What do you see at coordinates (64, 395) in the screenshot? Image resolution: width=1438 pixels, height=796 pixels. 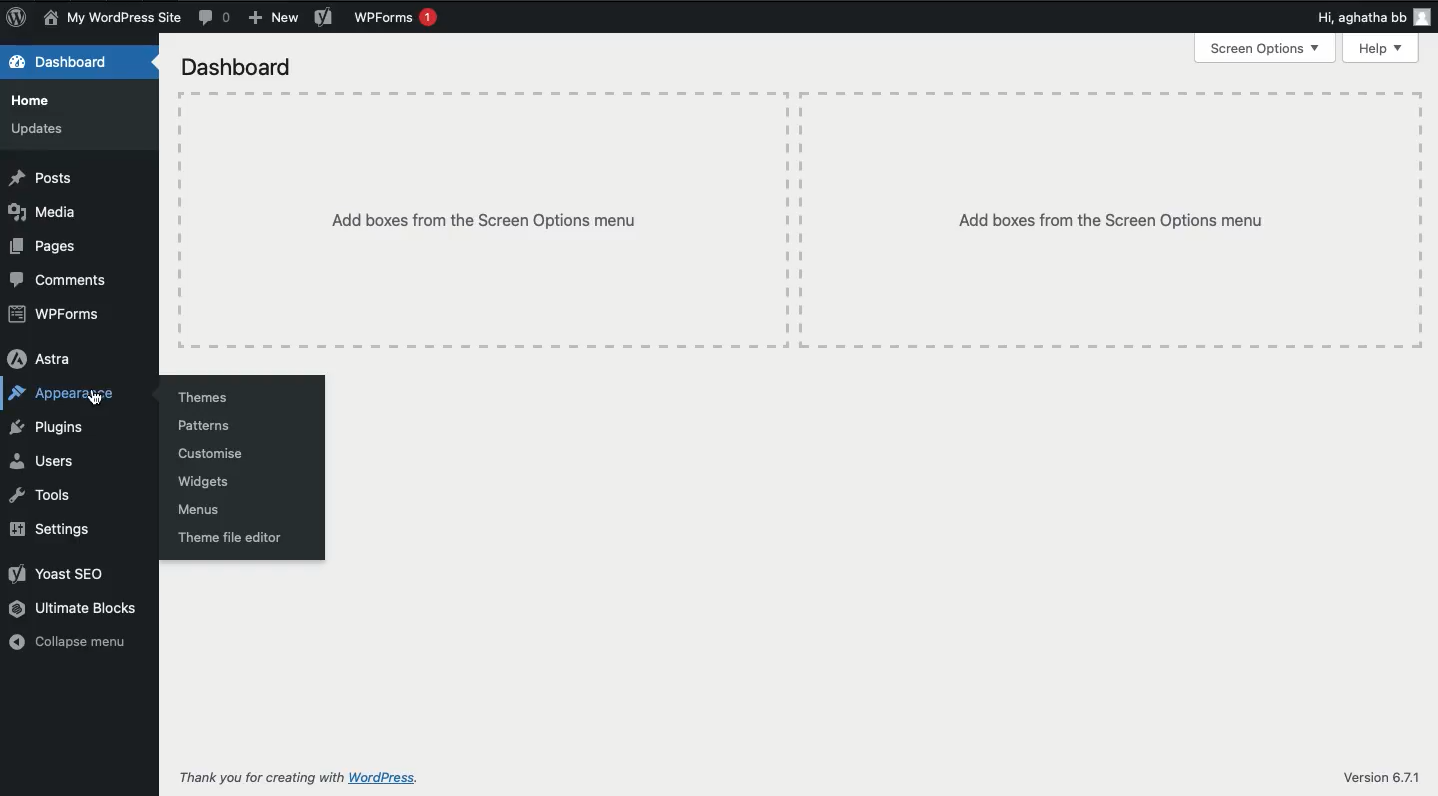 I see `Appearance` at bounding box center [64, 395].